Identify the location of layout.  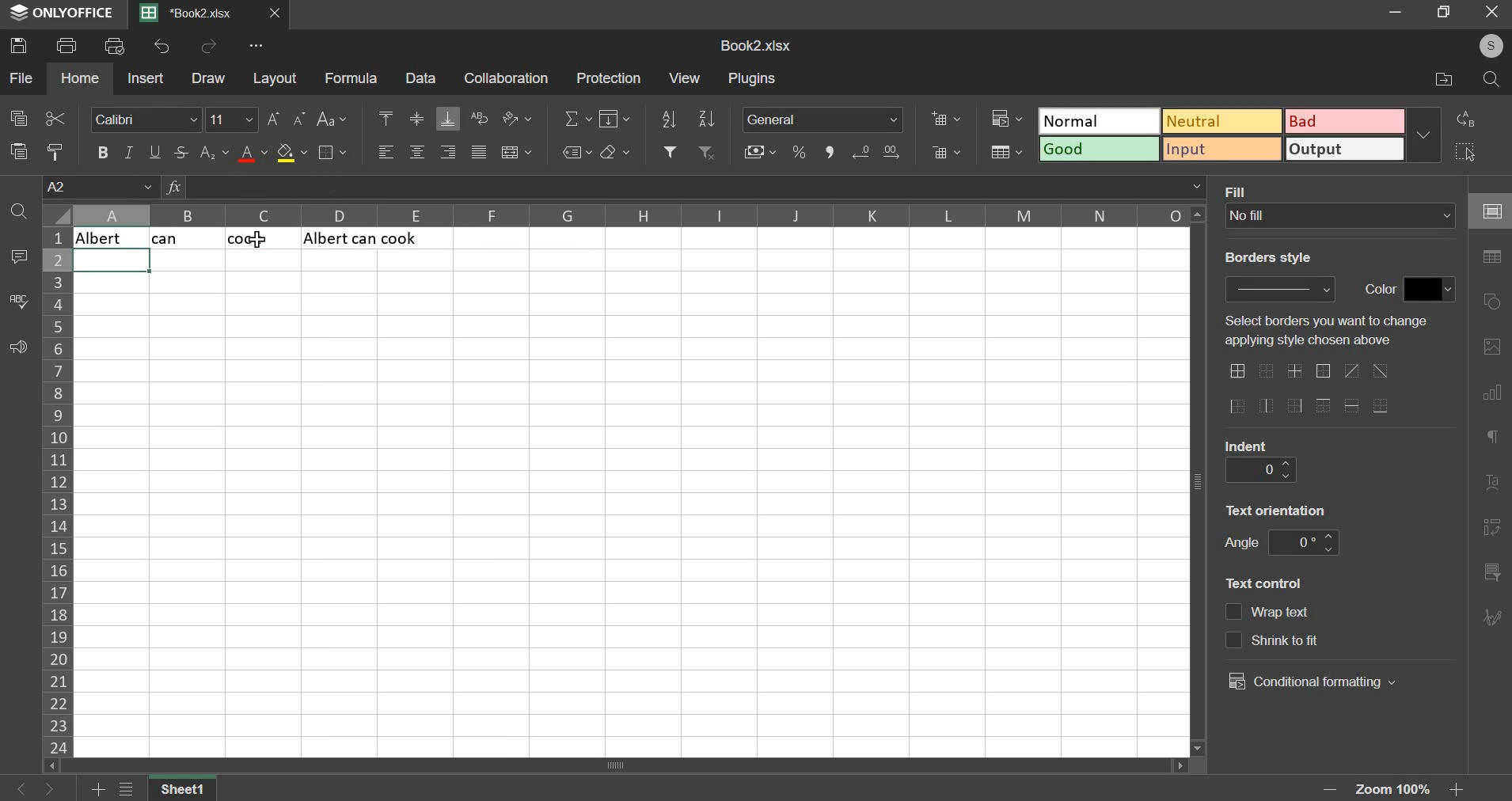
(275, 79).